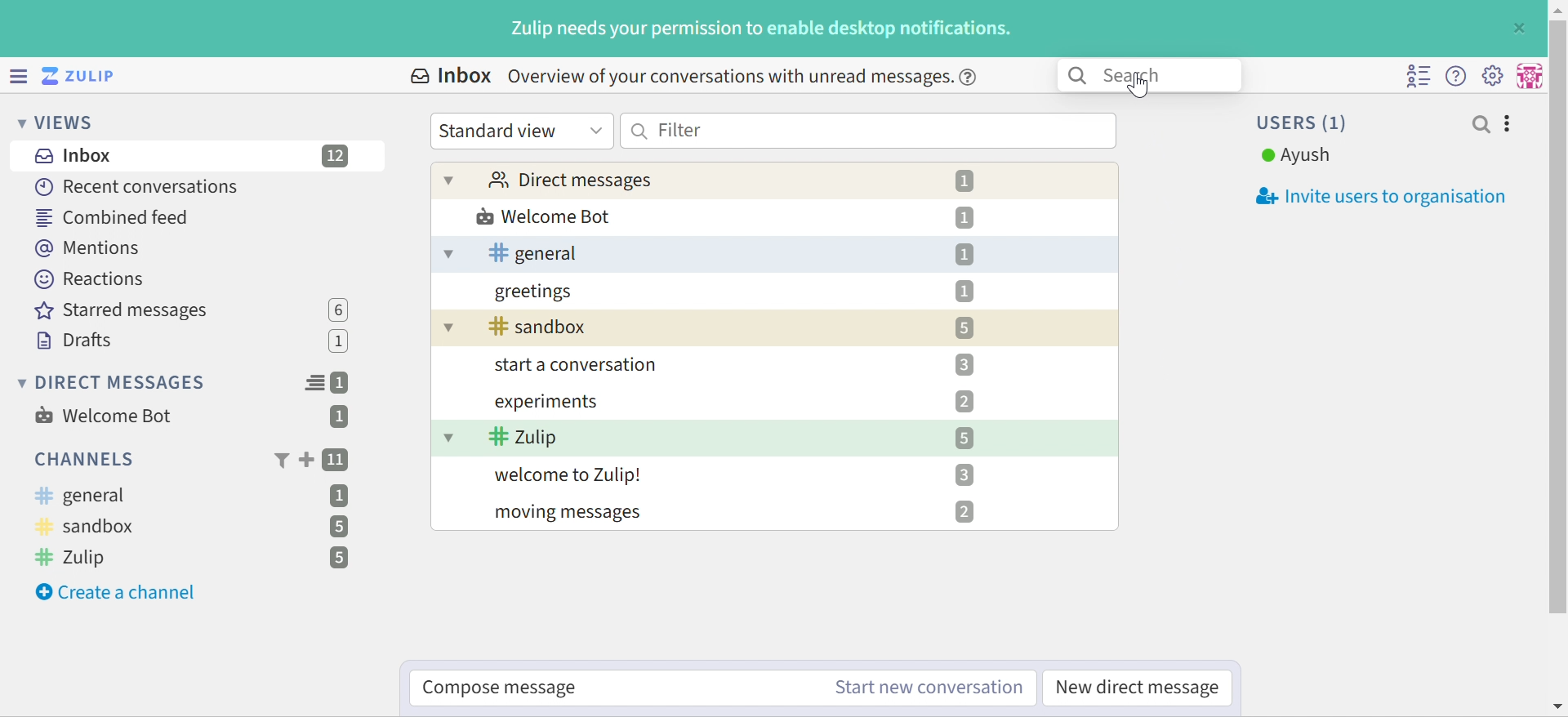  What do you see at coordinates (584, 365) in the screenshot?
I see `start a conversation` at bounding box center [584, 365].